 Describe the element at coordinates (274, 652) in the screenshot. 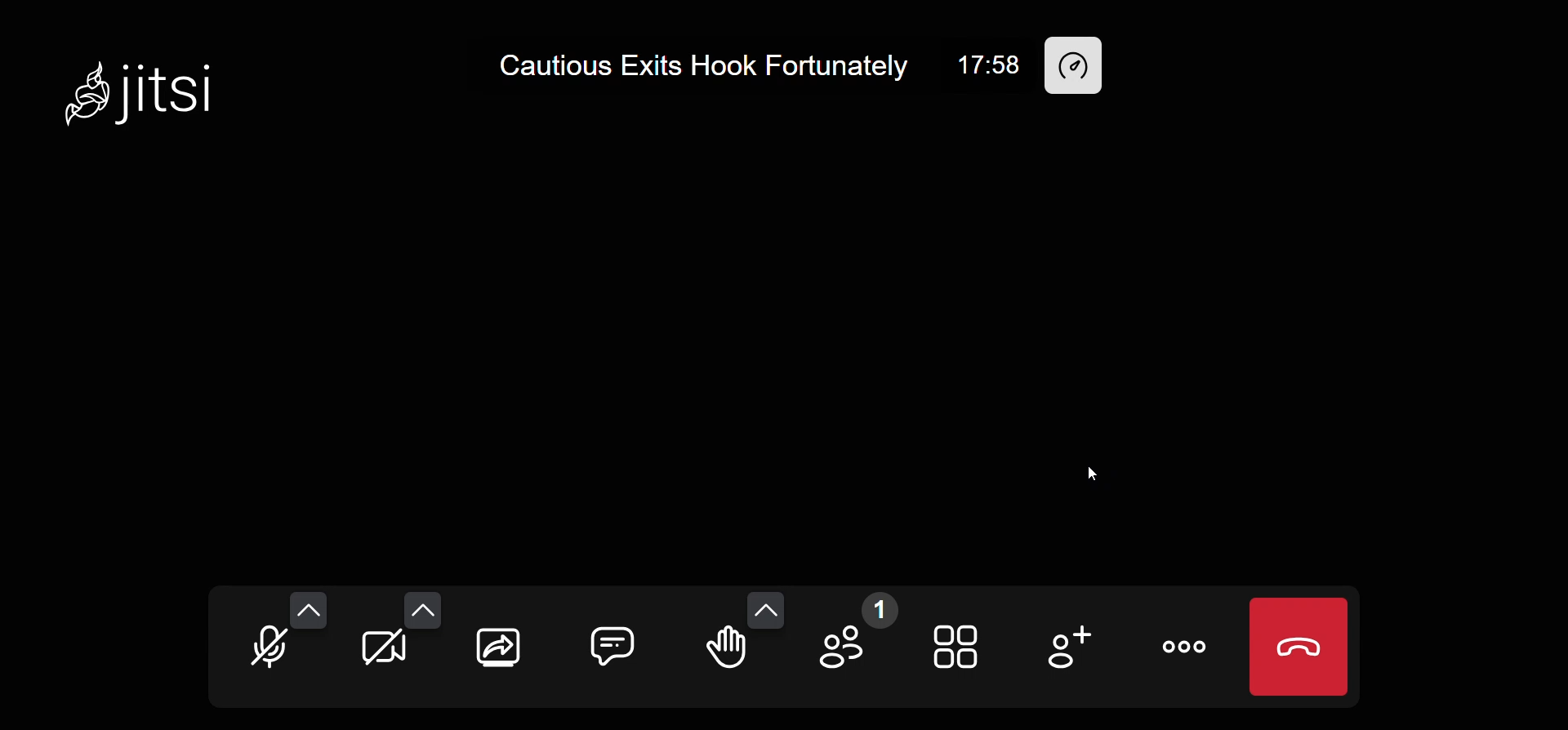

I see `microphone` at that location.